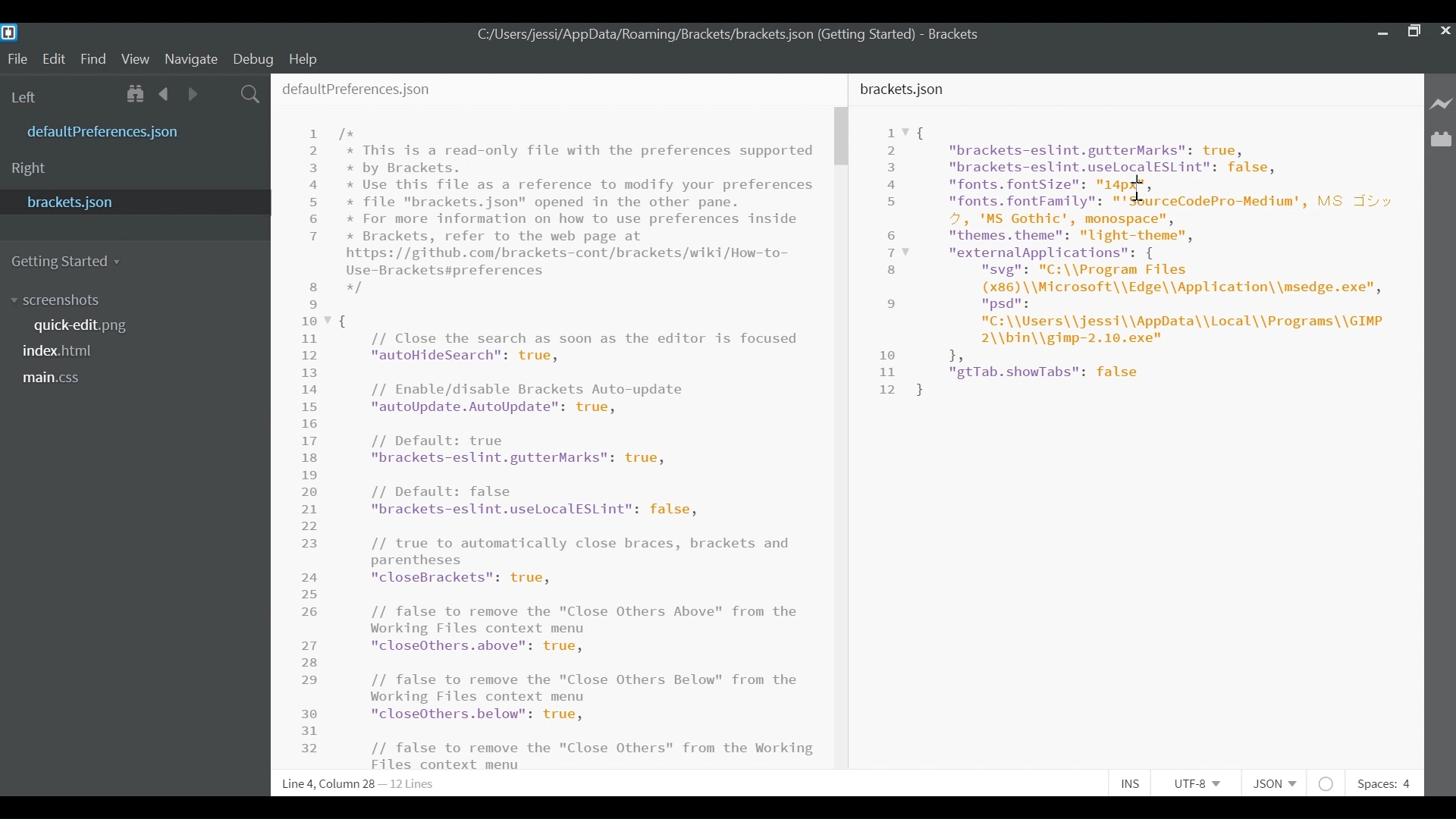  What do you see at coordinates (63, 352) in the screenshot?
I see `index.html` at bounding box center [63, 352].